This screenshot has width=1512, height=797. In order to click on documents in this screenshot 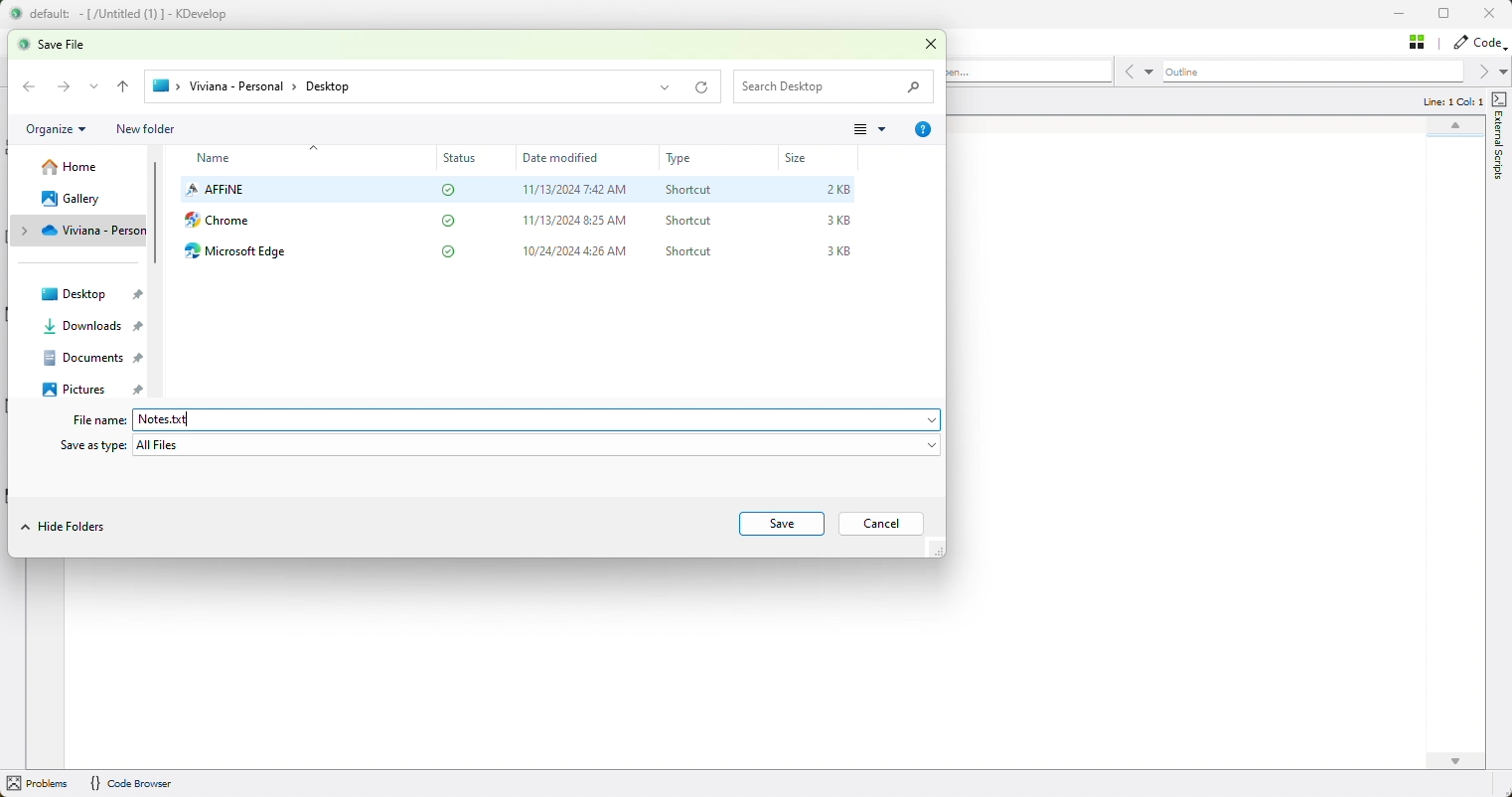, I will do `click(89, 358)`.